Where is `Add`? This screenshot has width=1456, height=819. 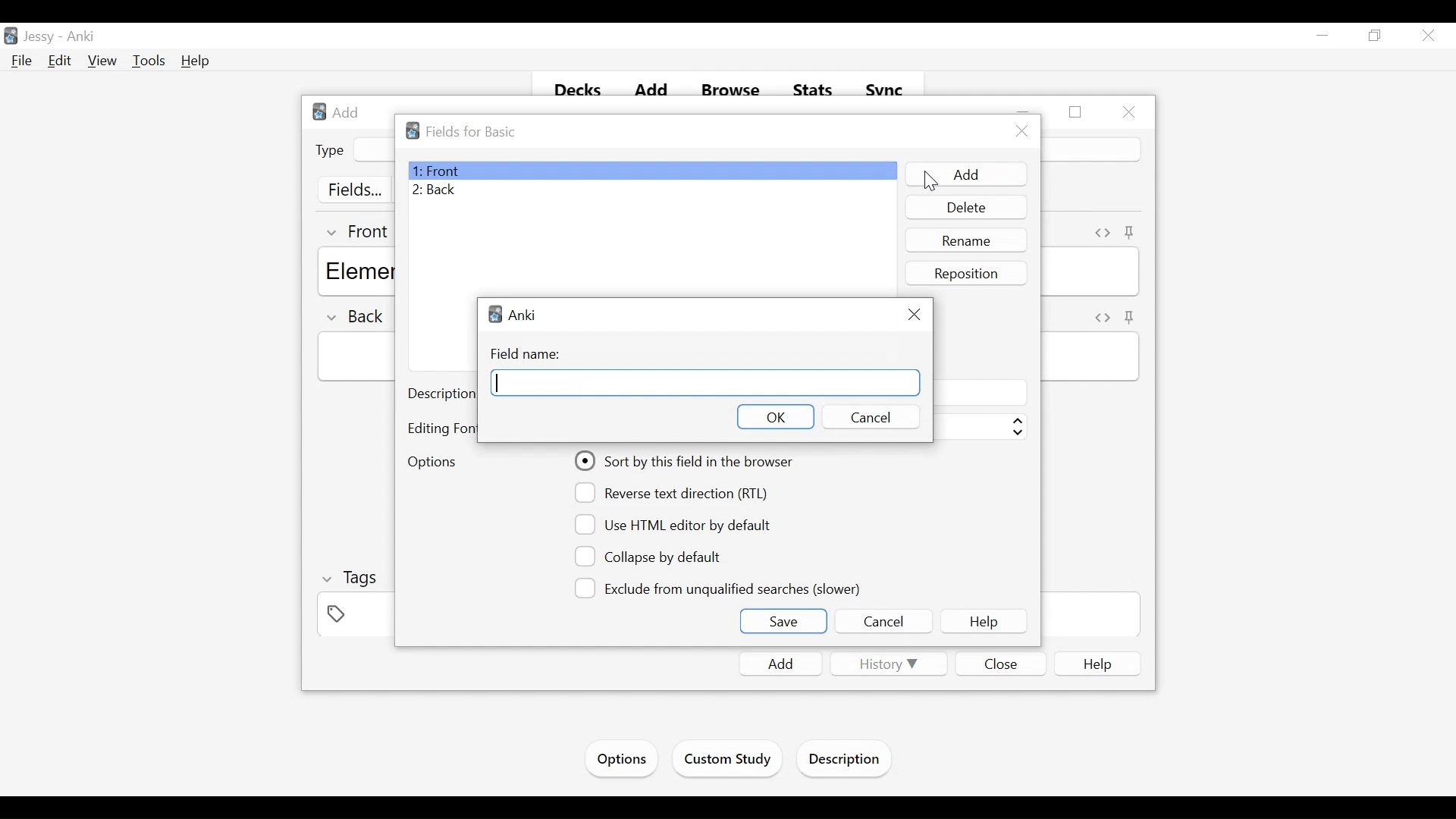 Add is located at coordinates (654, 91).